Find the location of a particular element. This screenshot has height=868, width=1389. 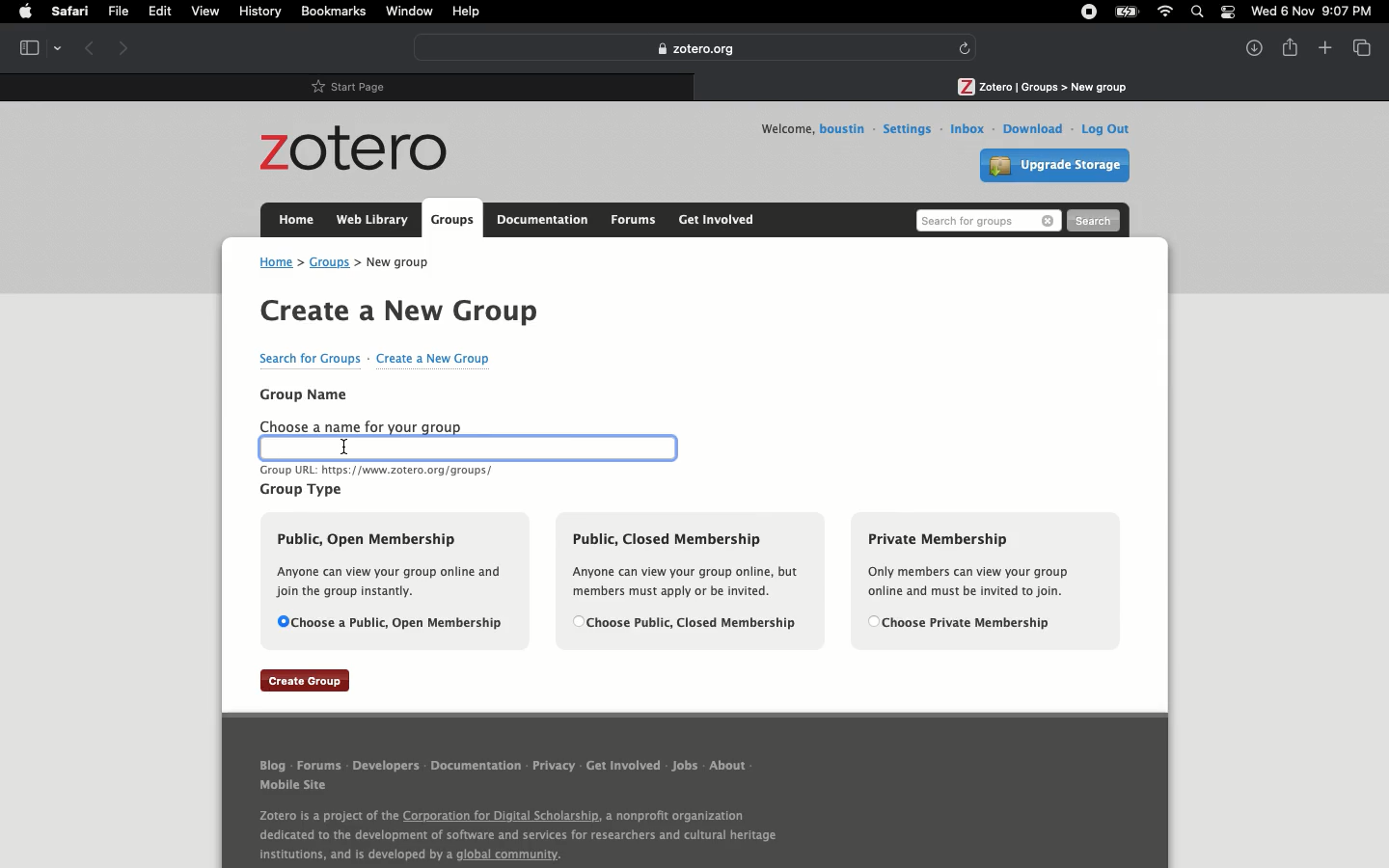

Inbox is located at coordinates (967, 127).